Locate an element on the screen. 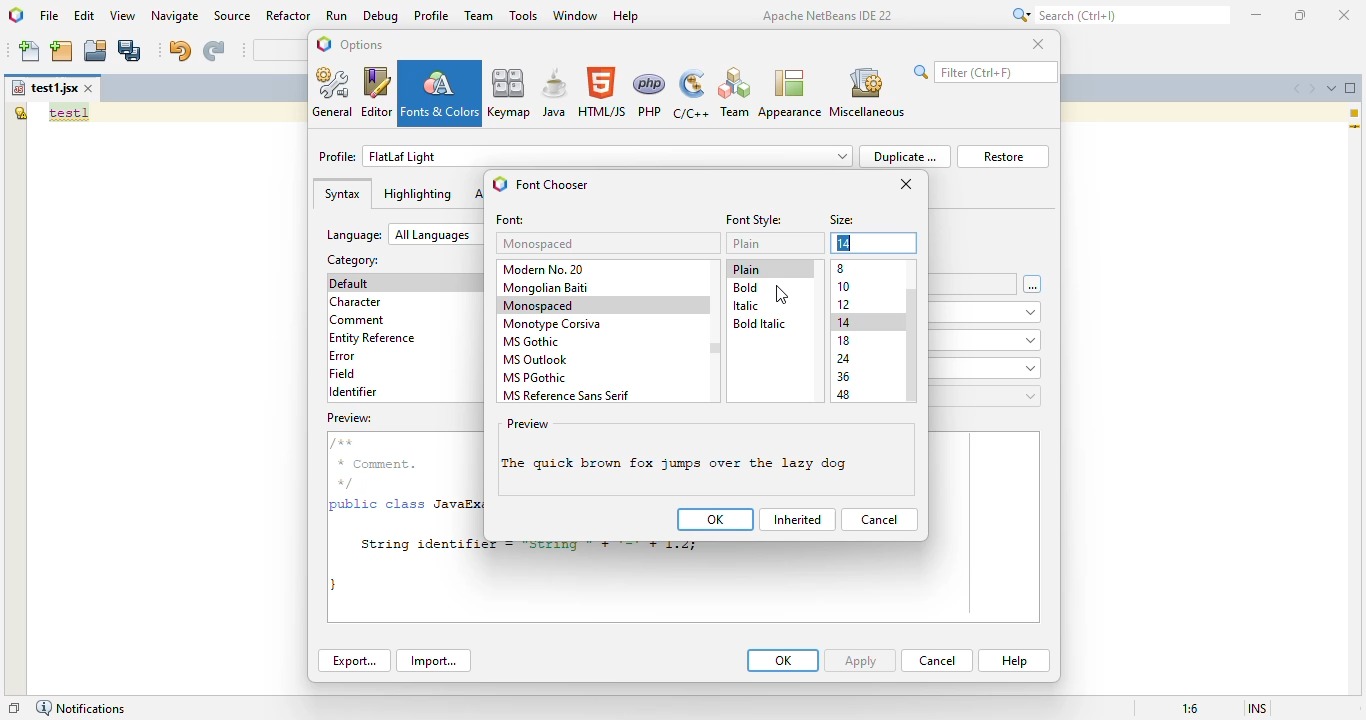  bold italic is located at coordinates (758, 324).